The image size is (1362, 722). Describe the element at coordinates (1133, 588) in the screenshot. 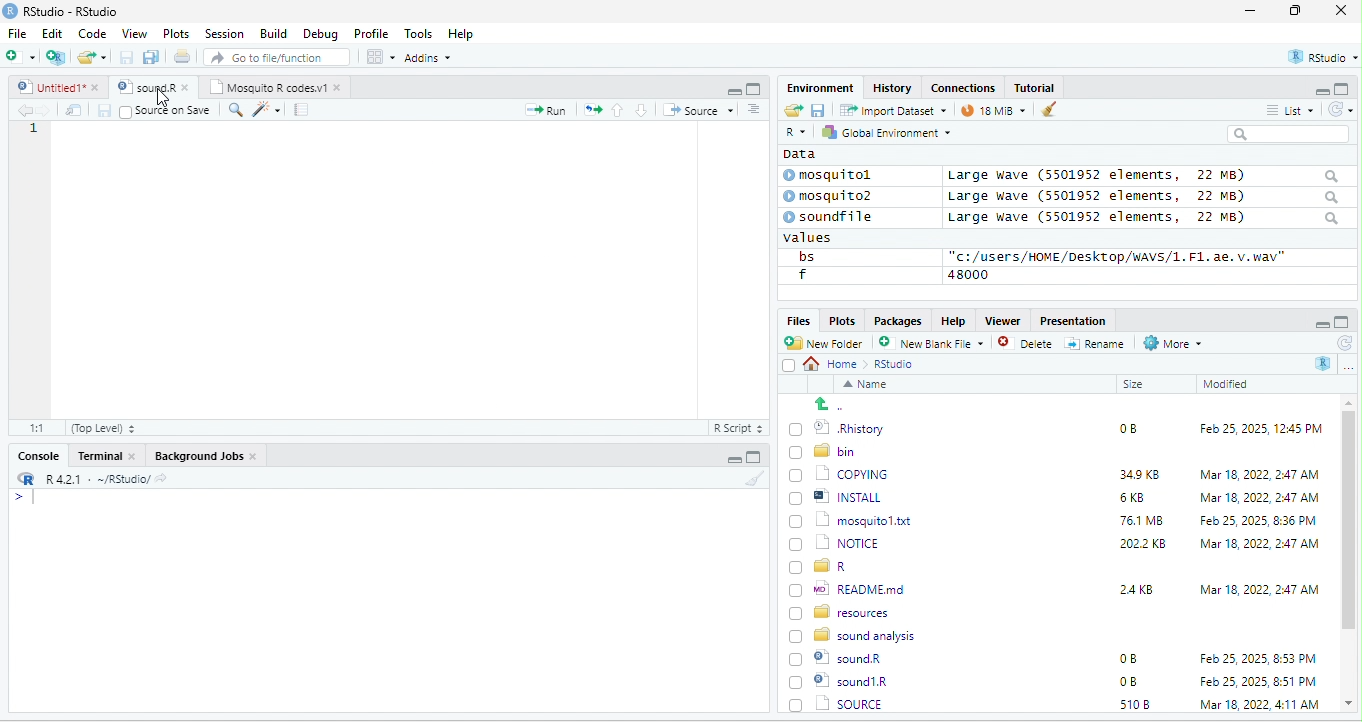

I see `24KB` at that location.